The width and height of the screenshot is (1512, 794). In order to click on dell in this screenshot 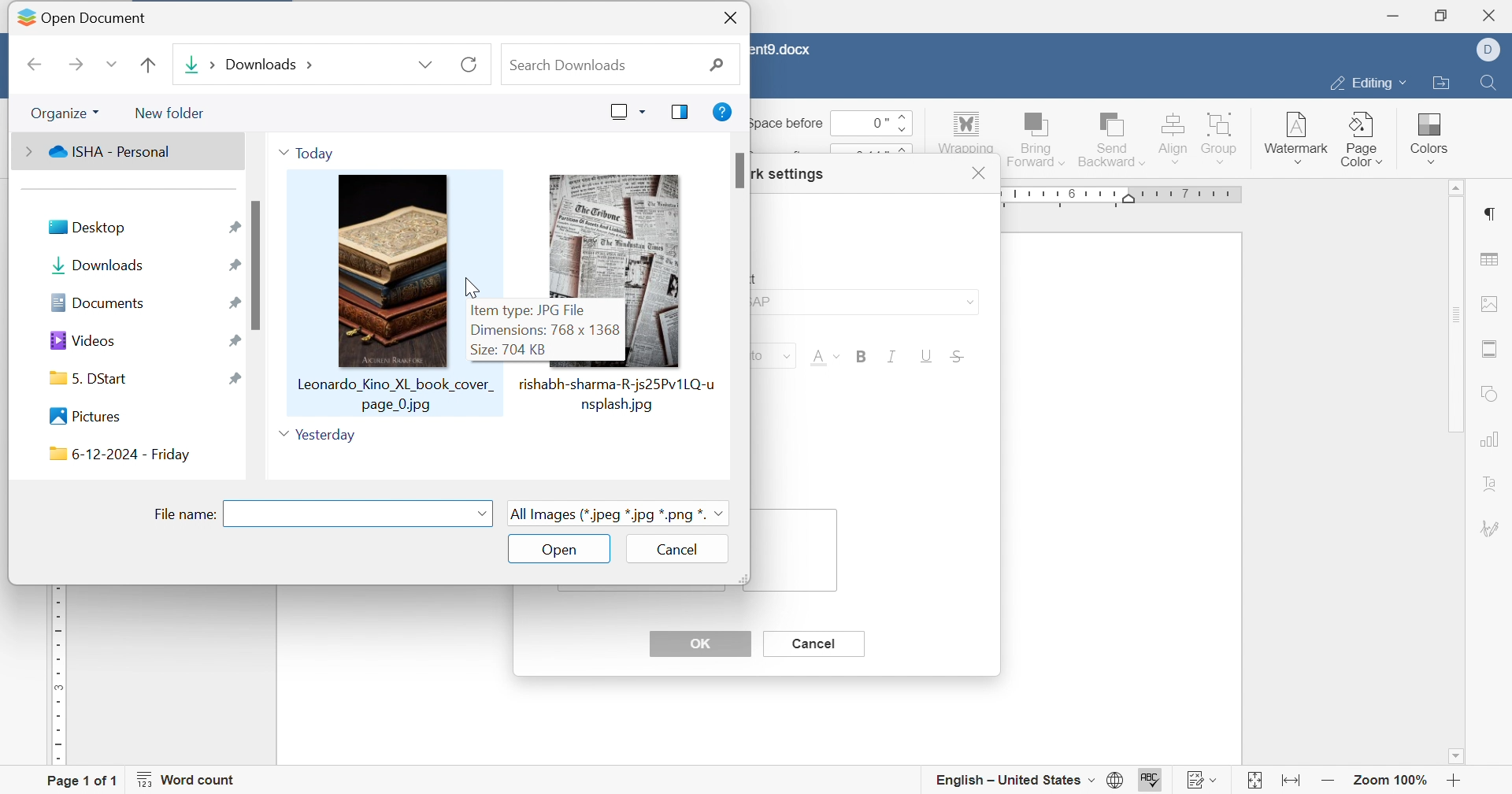, I will do `click(1494, 50)`.